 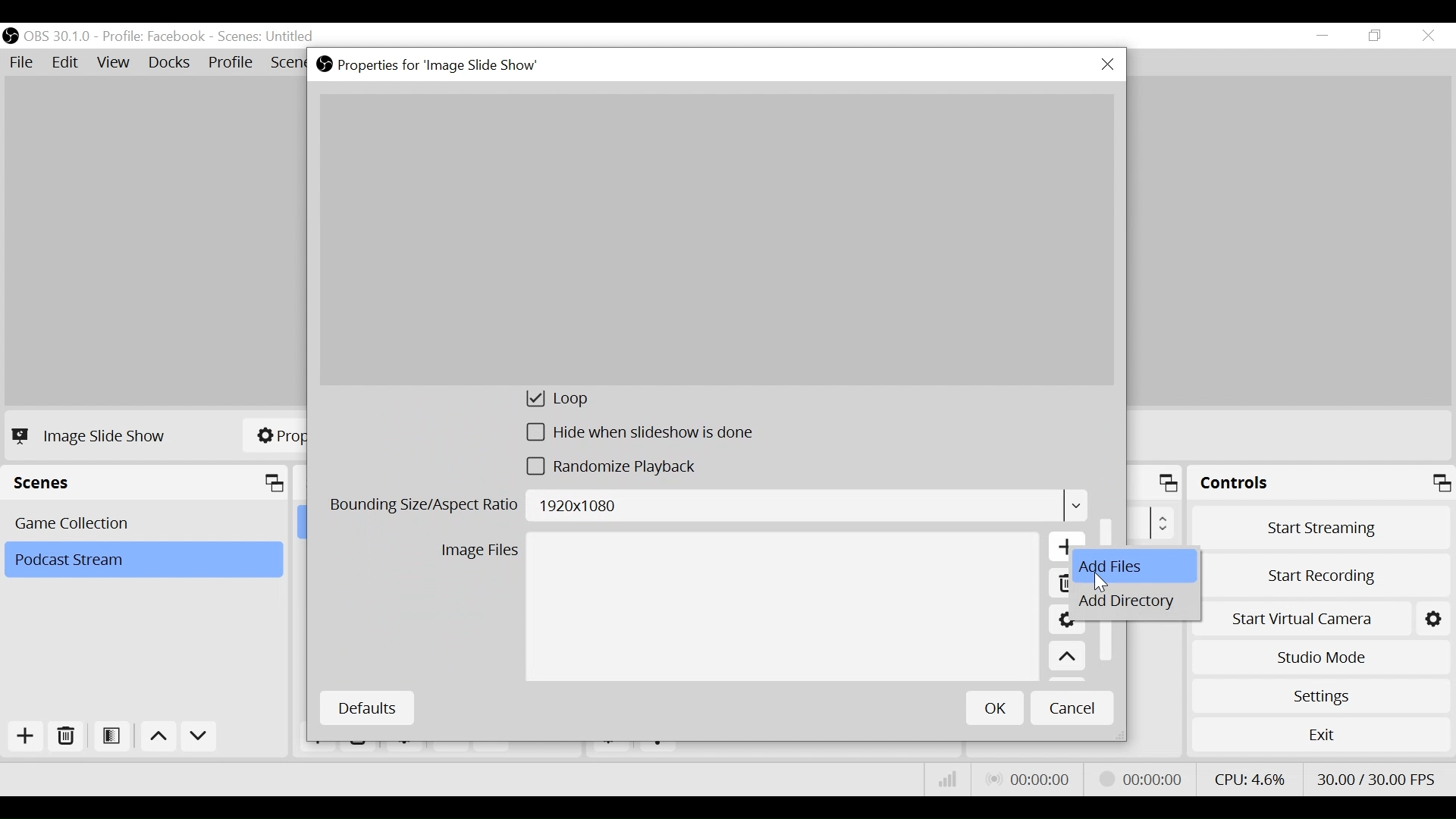 What do you see at coordinates (231, 64) in the screenshot?
I see `Profile` at bounding box center [231, 64].